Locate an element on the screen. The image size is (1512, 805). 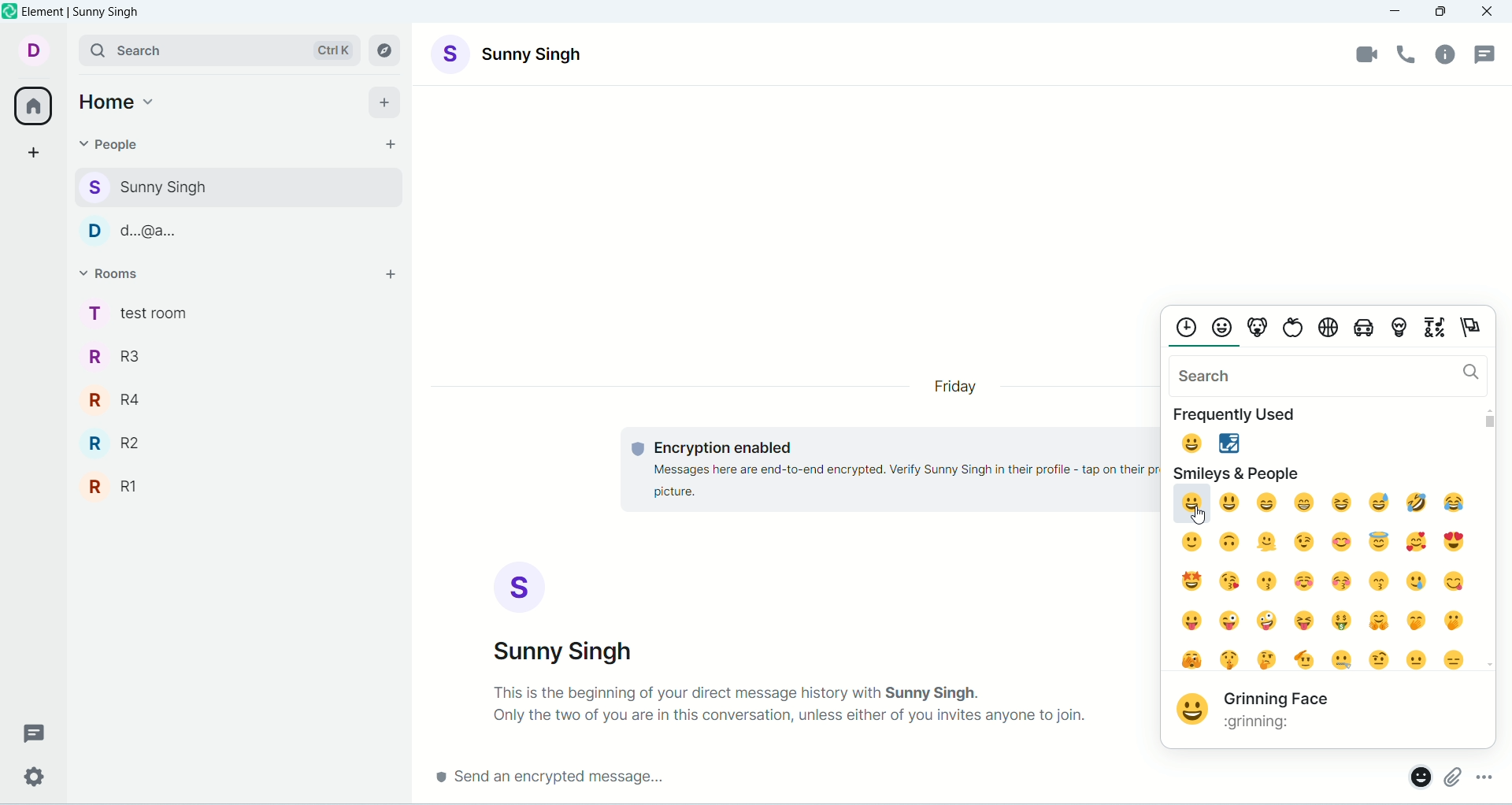
R1 is located at coordinates (239, 482).